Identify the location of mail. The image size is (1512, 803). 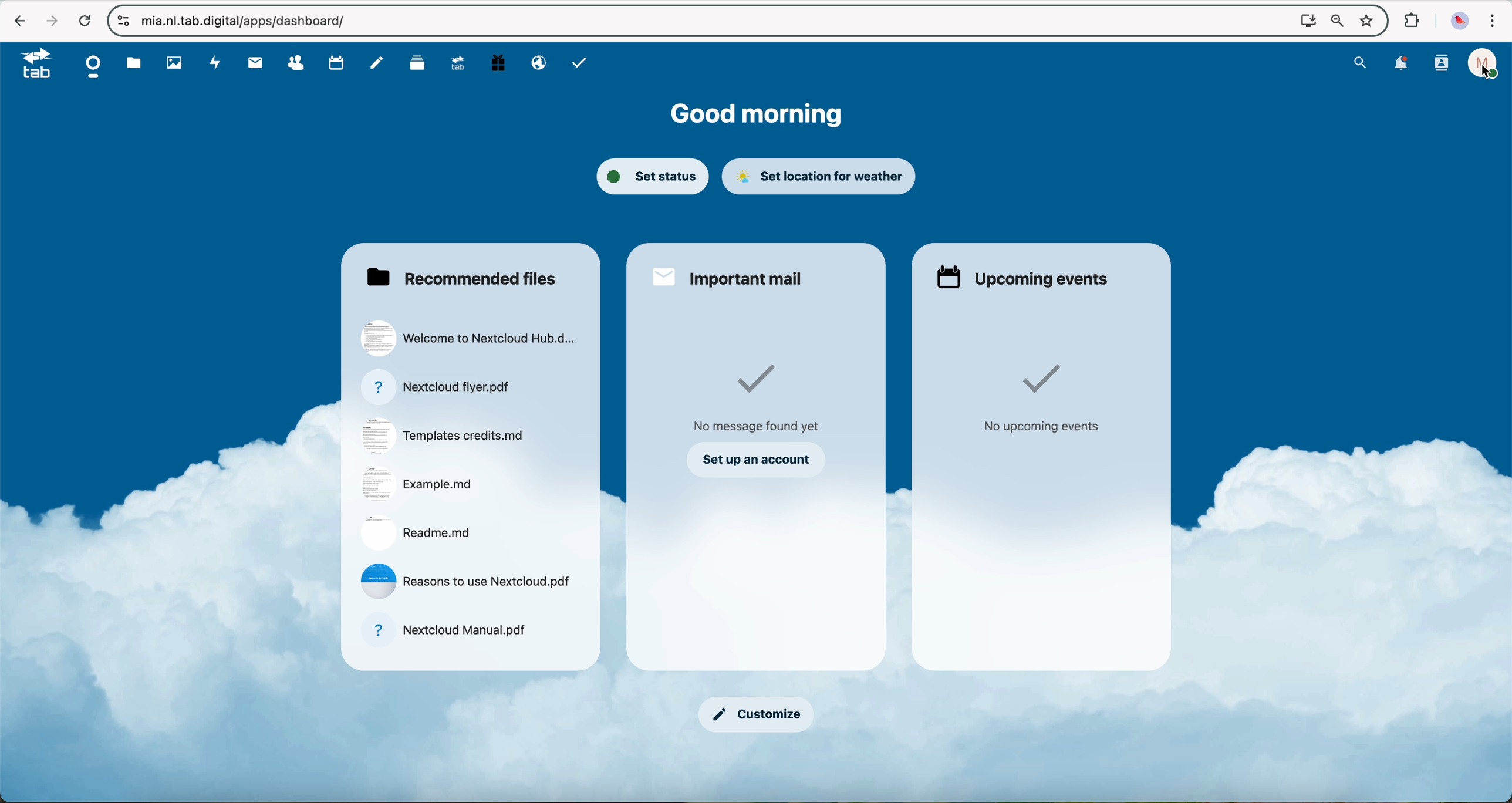
(253, 63).